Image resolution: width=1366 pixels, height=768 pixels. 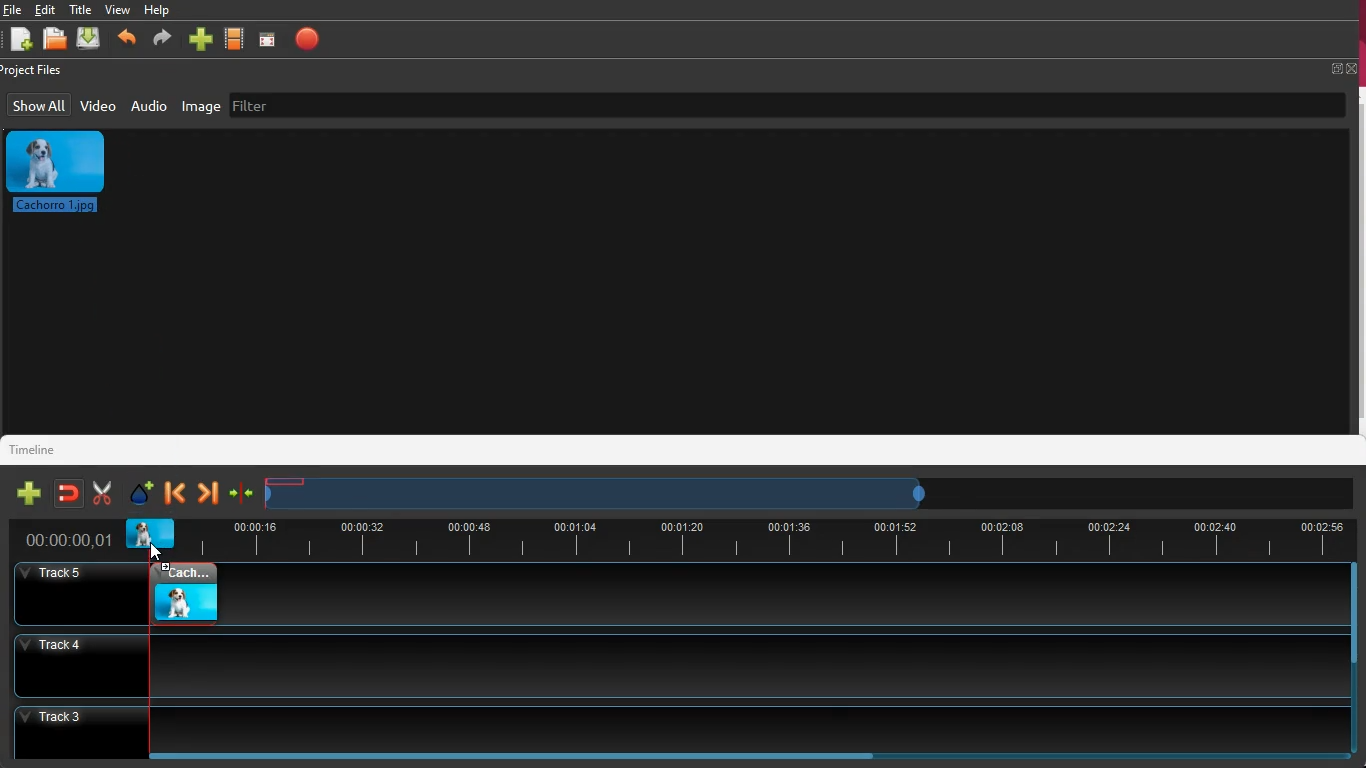 I want to click on track, so click(x=778, y=600).